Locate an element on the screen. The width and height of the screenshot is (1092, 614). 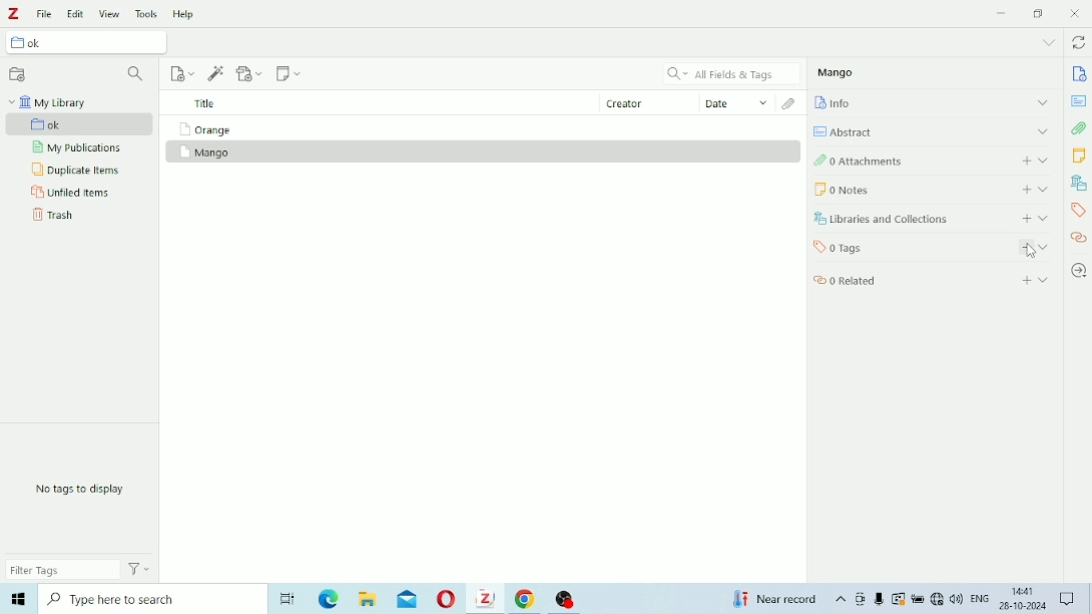
My Library is located at coordinates (49, 100).